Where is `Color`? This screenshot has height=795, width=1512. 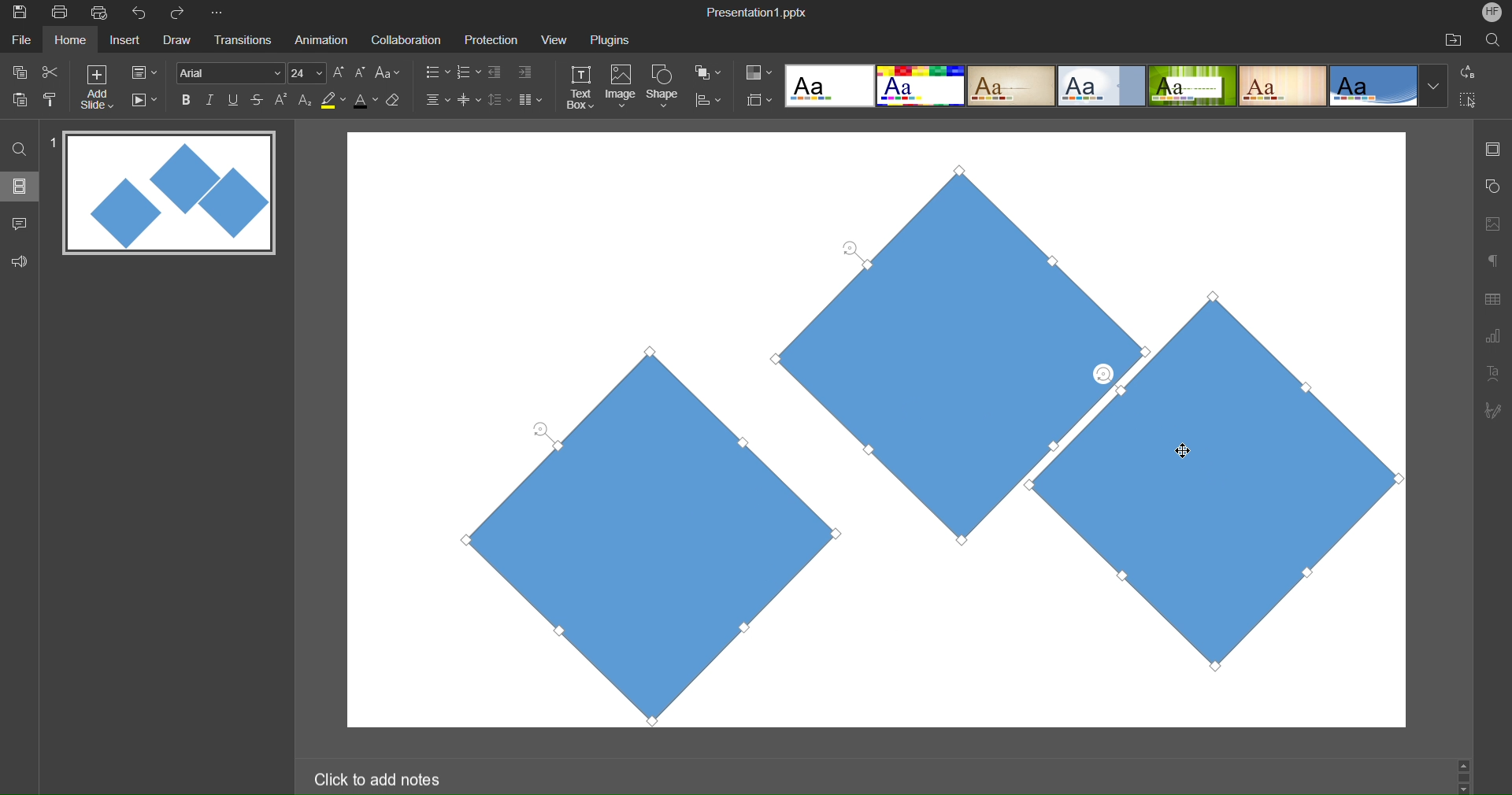
Color is located at coordinates (759, 72).